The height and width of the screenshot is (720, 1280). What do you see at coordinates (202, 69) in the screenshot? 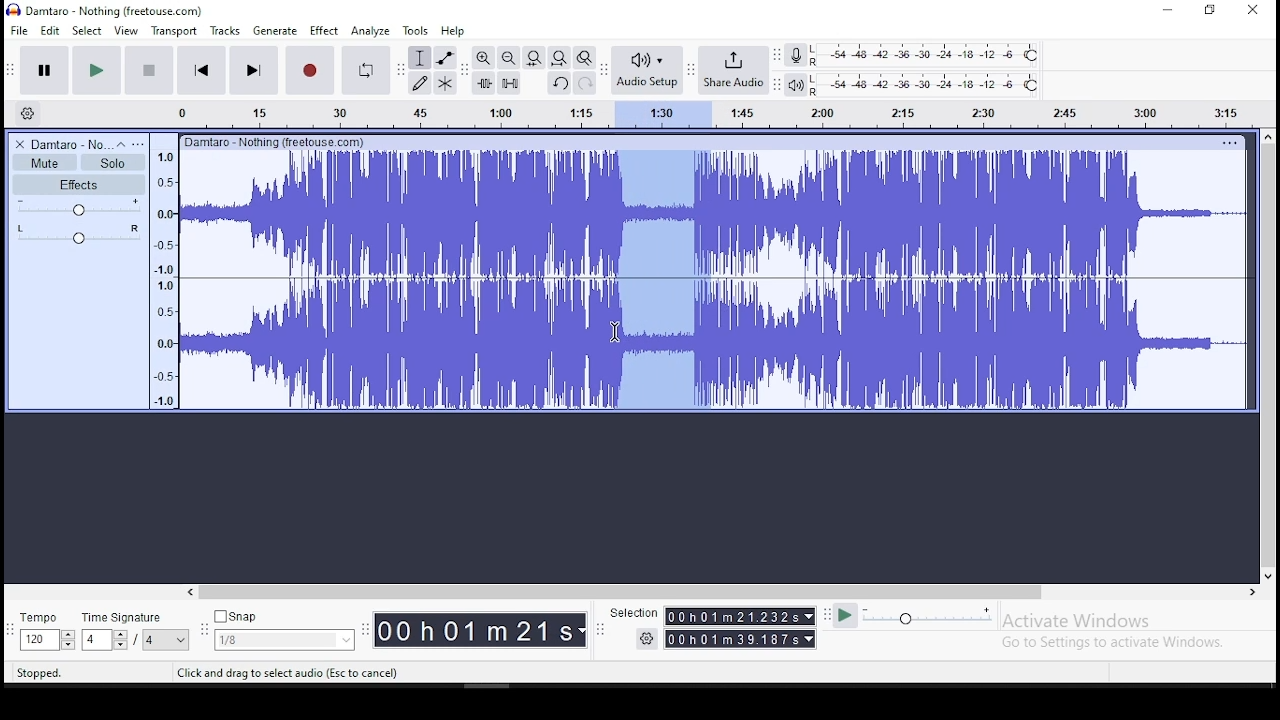
I see `skip to start` at bounding box center [202, 69].